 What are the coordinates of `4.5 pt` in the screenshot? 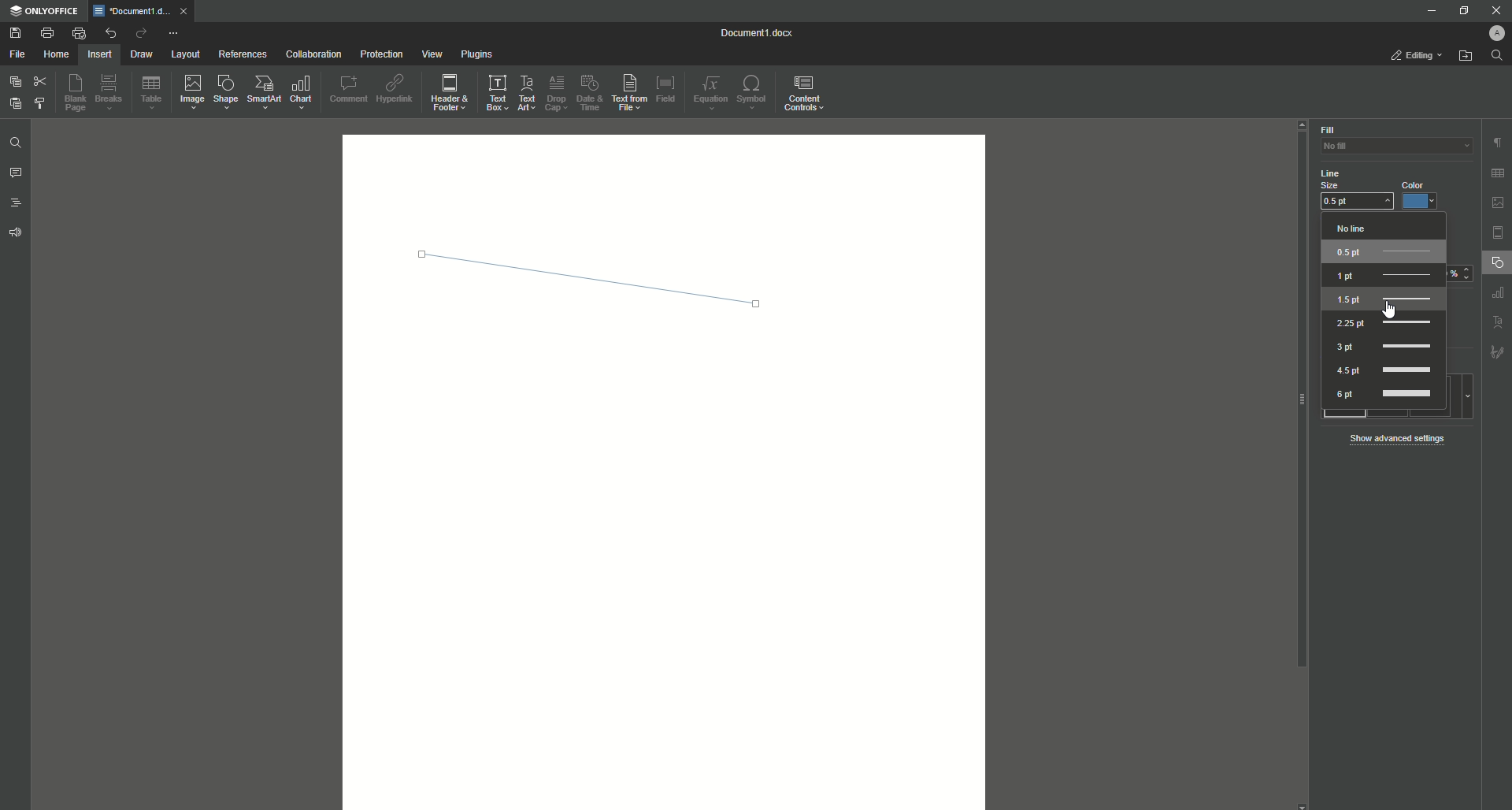 It's located at (1382, 369).